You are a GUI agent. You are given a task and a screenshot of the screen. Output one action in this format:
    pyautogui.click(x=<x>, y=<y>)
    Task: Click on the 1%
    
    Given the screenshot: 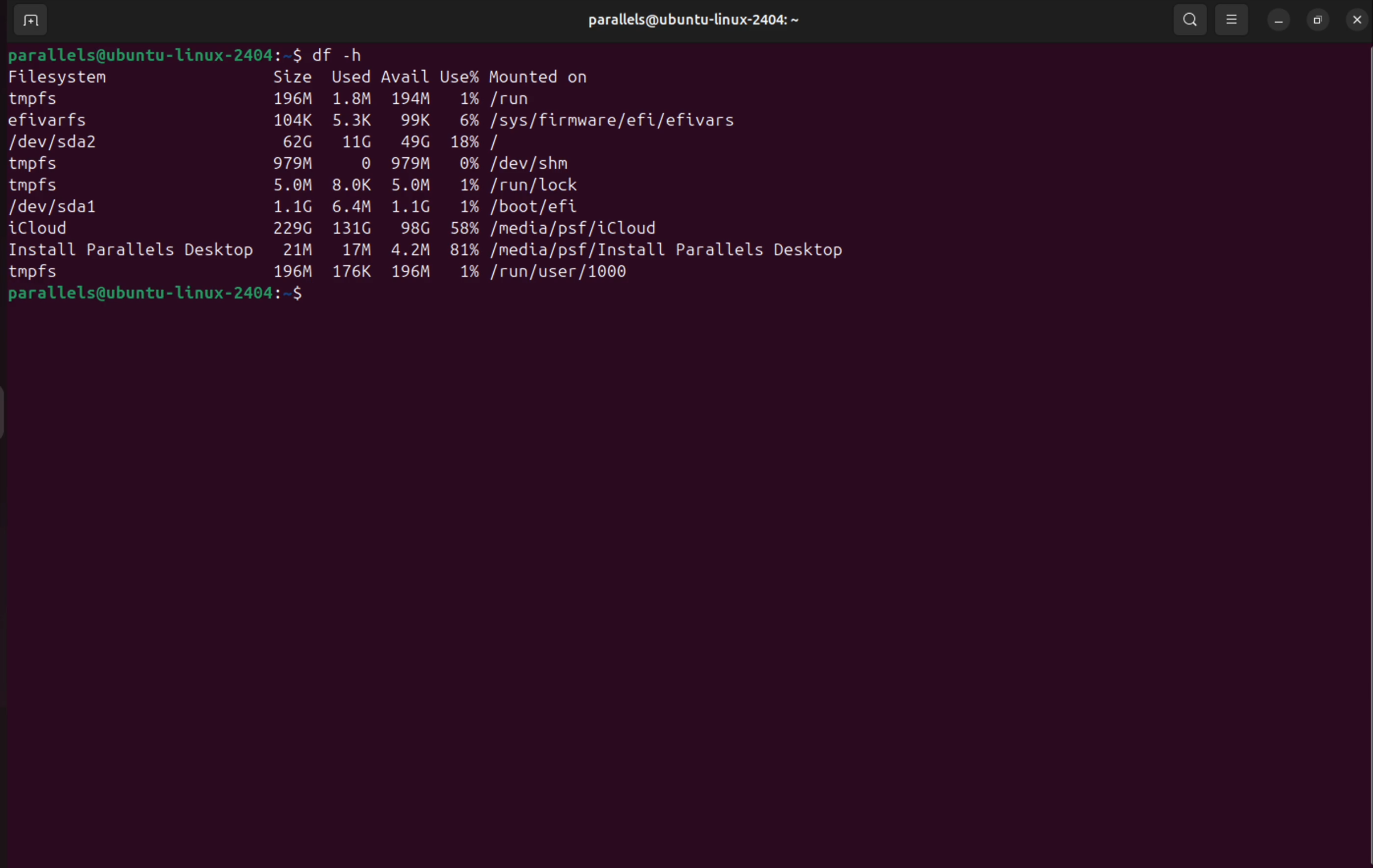 What is the action you would take?
    pyautogui.click(x=472, y=100)
    